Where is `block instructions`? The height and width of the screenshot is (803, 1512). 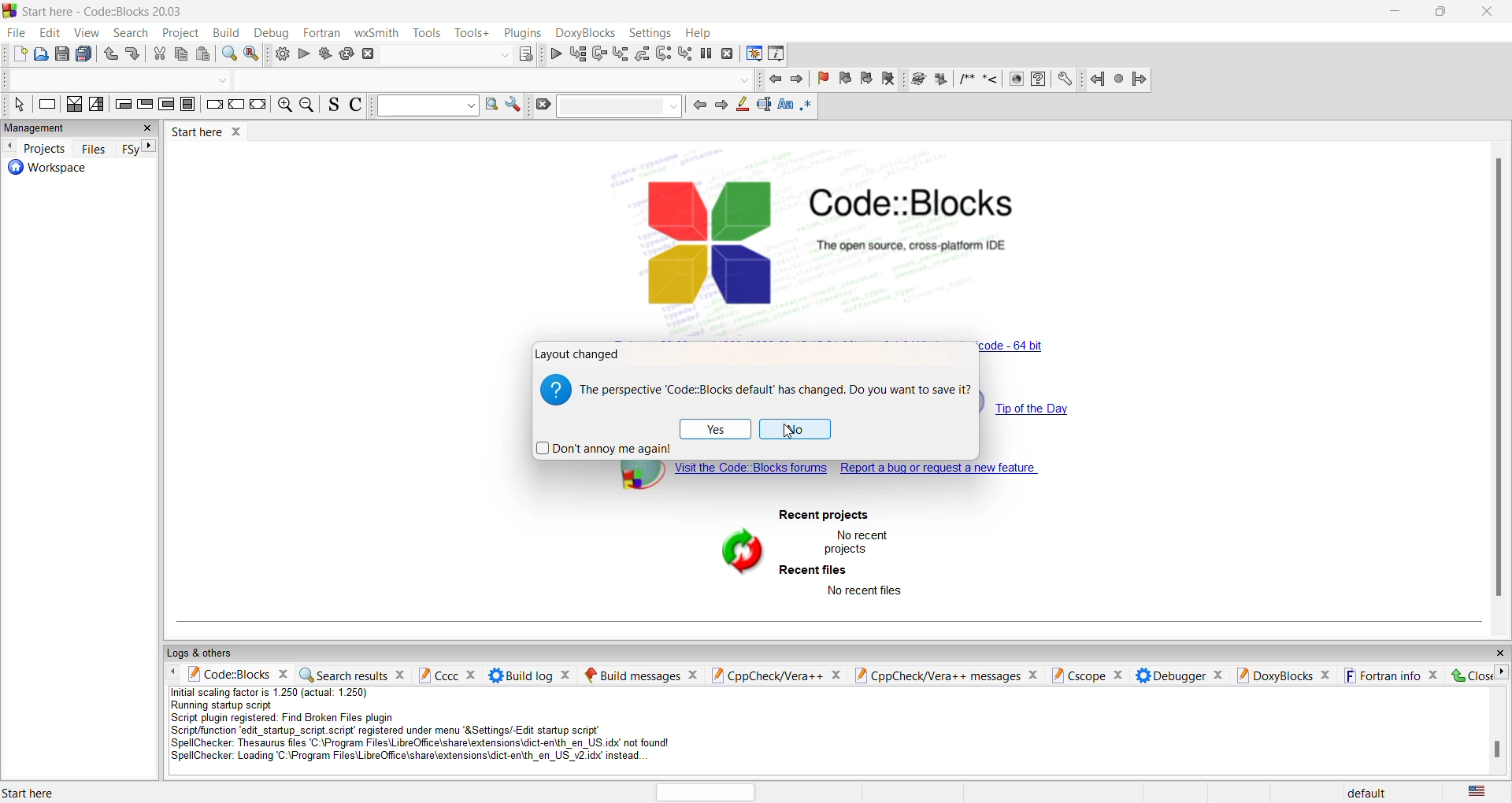 block instructions is located at coordinates (190, 105).